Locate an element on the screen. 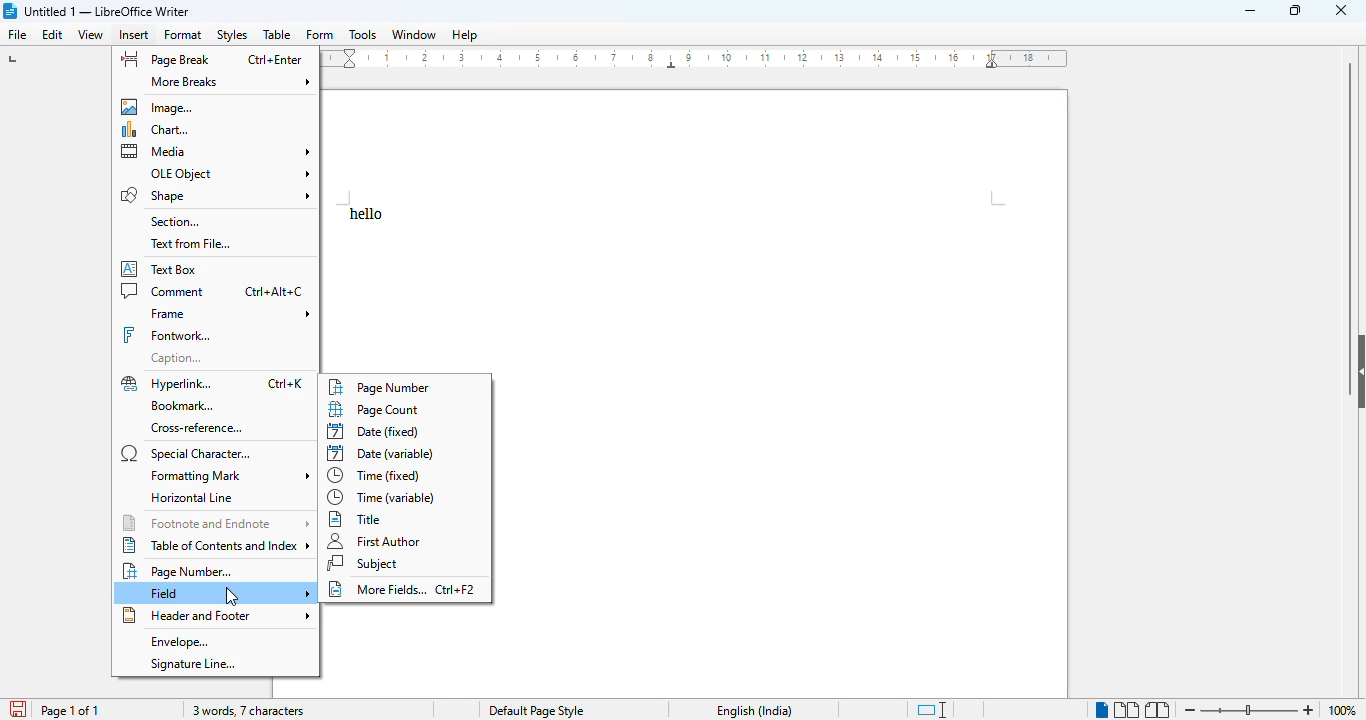 Image resolution: width=1366 pixels, height=720 pixels. chart is located at coordinates (159, 130).